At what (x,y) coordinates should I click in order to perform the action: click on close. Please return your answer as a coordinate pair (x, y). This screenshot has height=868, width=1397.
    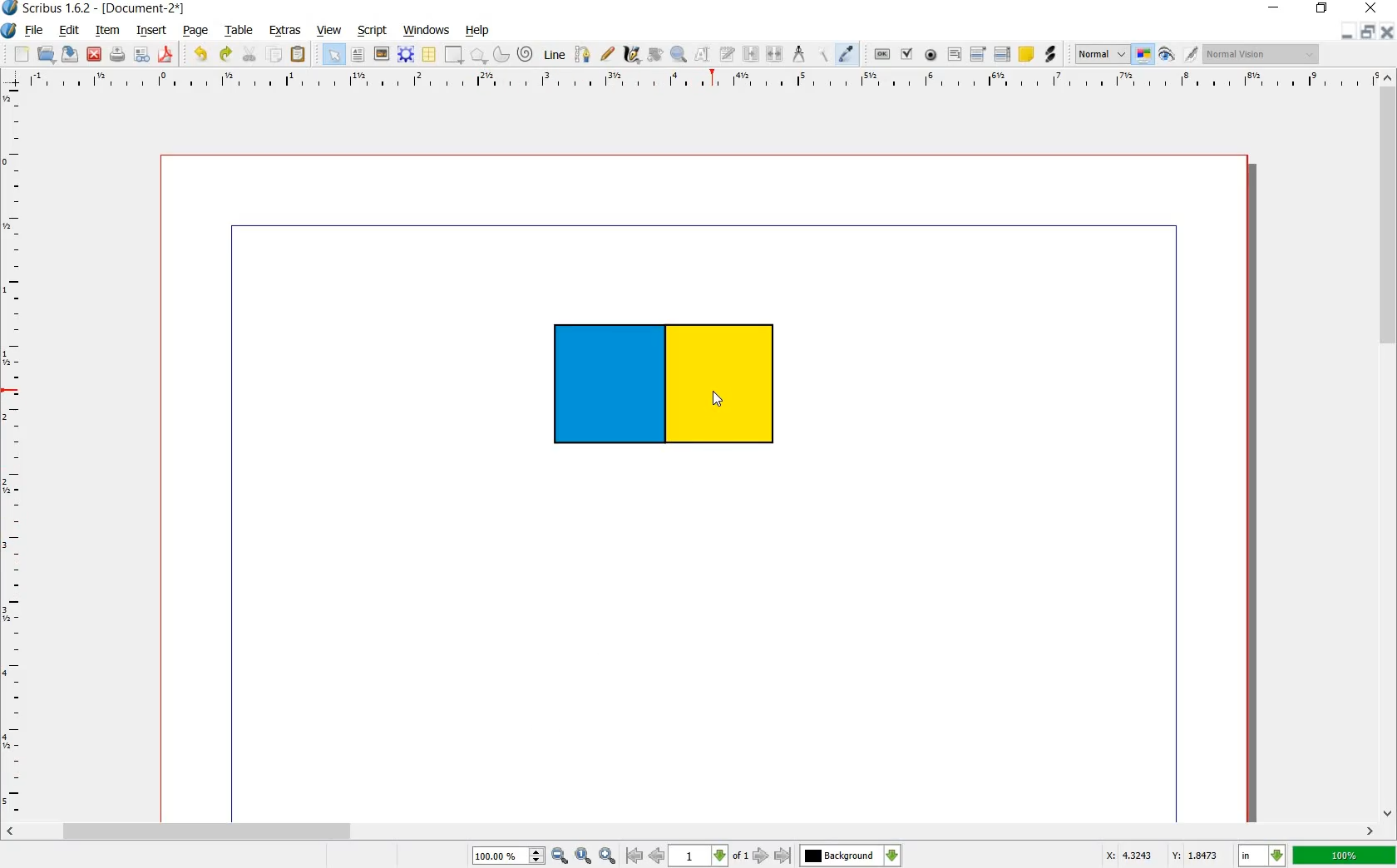
    Looking at the image, I should click on (1372, 7).